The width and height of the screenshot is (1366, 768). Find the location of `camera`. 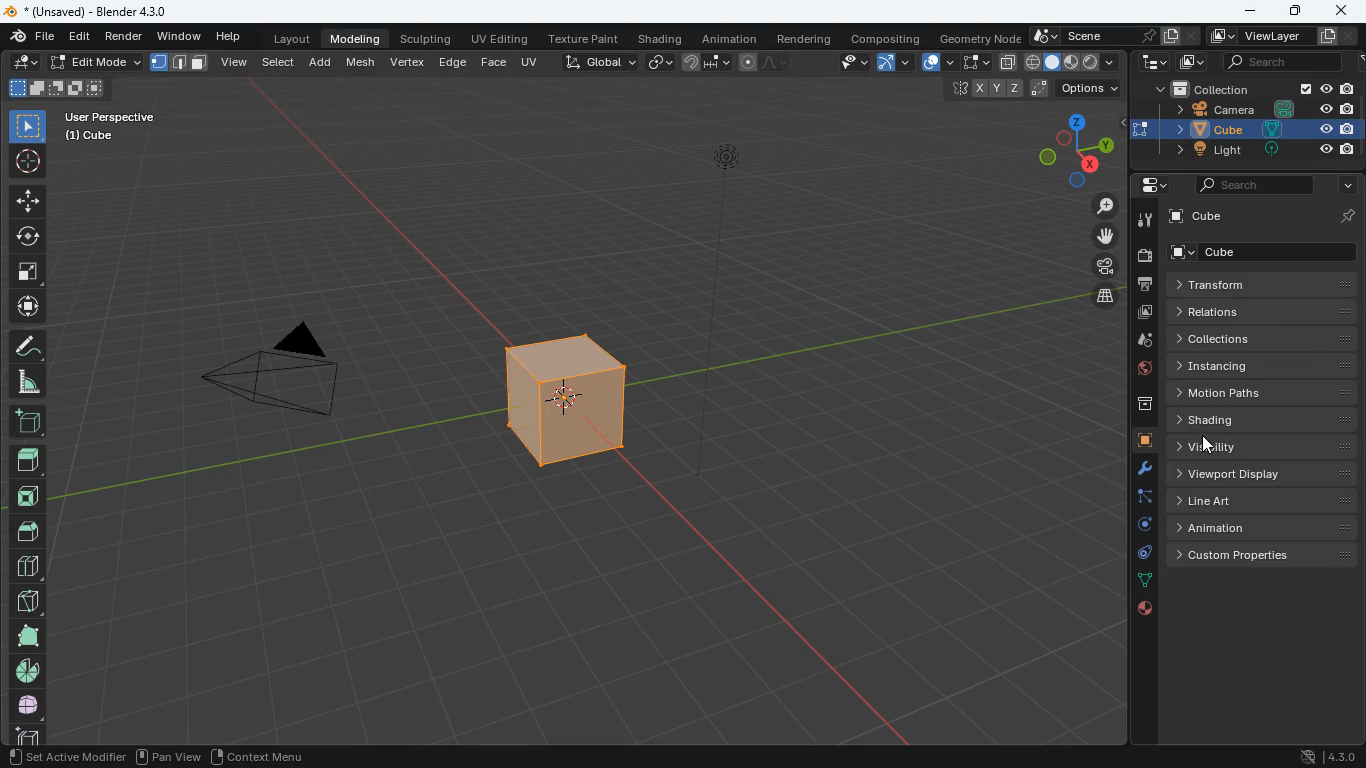

camera is located at coordinates (1262, 109).